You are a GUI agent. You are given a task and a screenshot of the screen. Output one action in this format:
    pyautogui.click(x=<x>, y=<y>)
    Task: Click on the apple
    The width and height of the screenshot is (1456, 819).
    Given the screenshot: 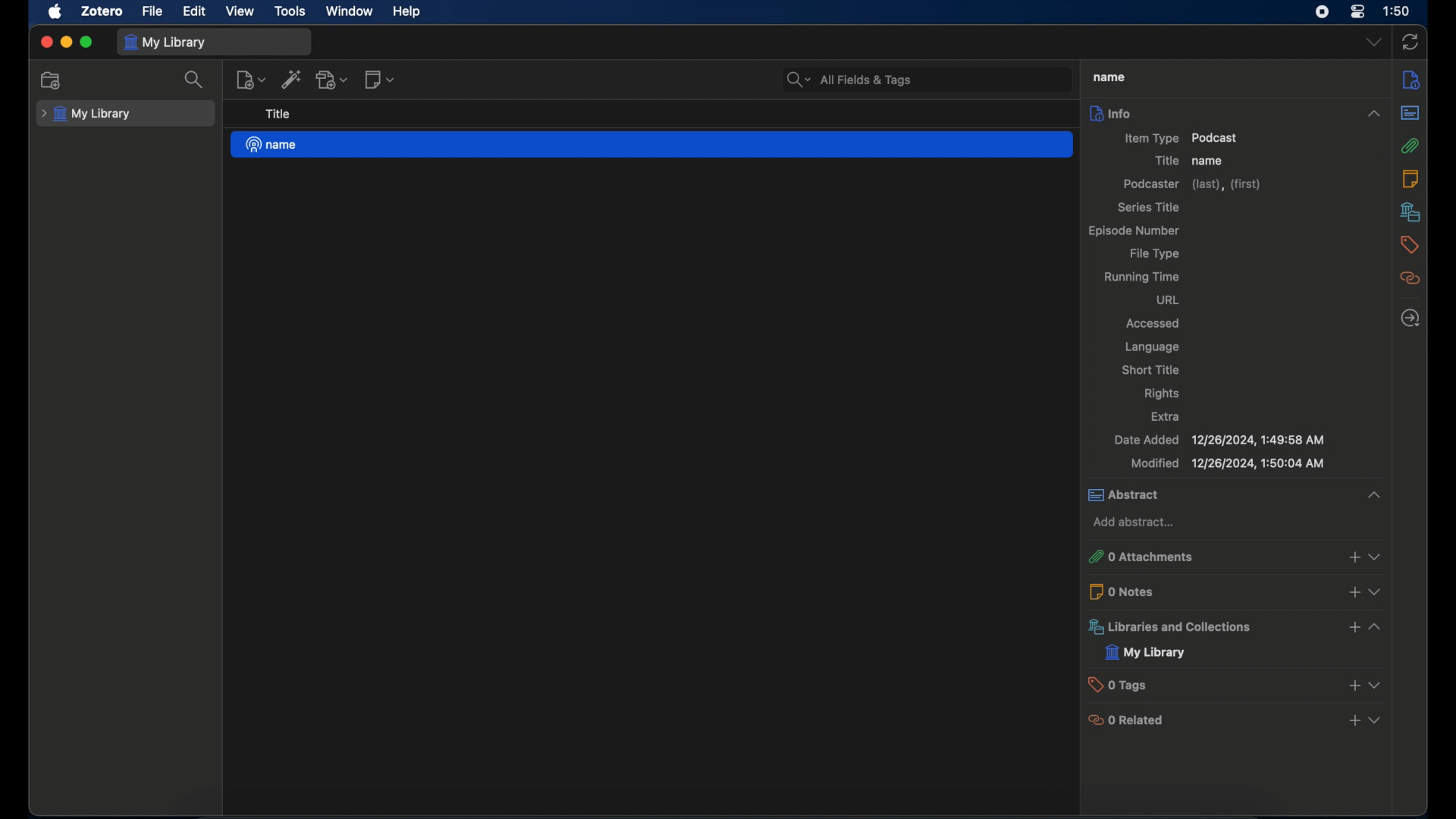 What is the action you would take?
    pyautogui.click(x=55, y=12)
    